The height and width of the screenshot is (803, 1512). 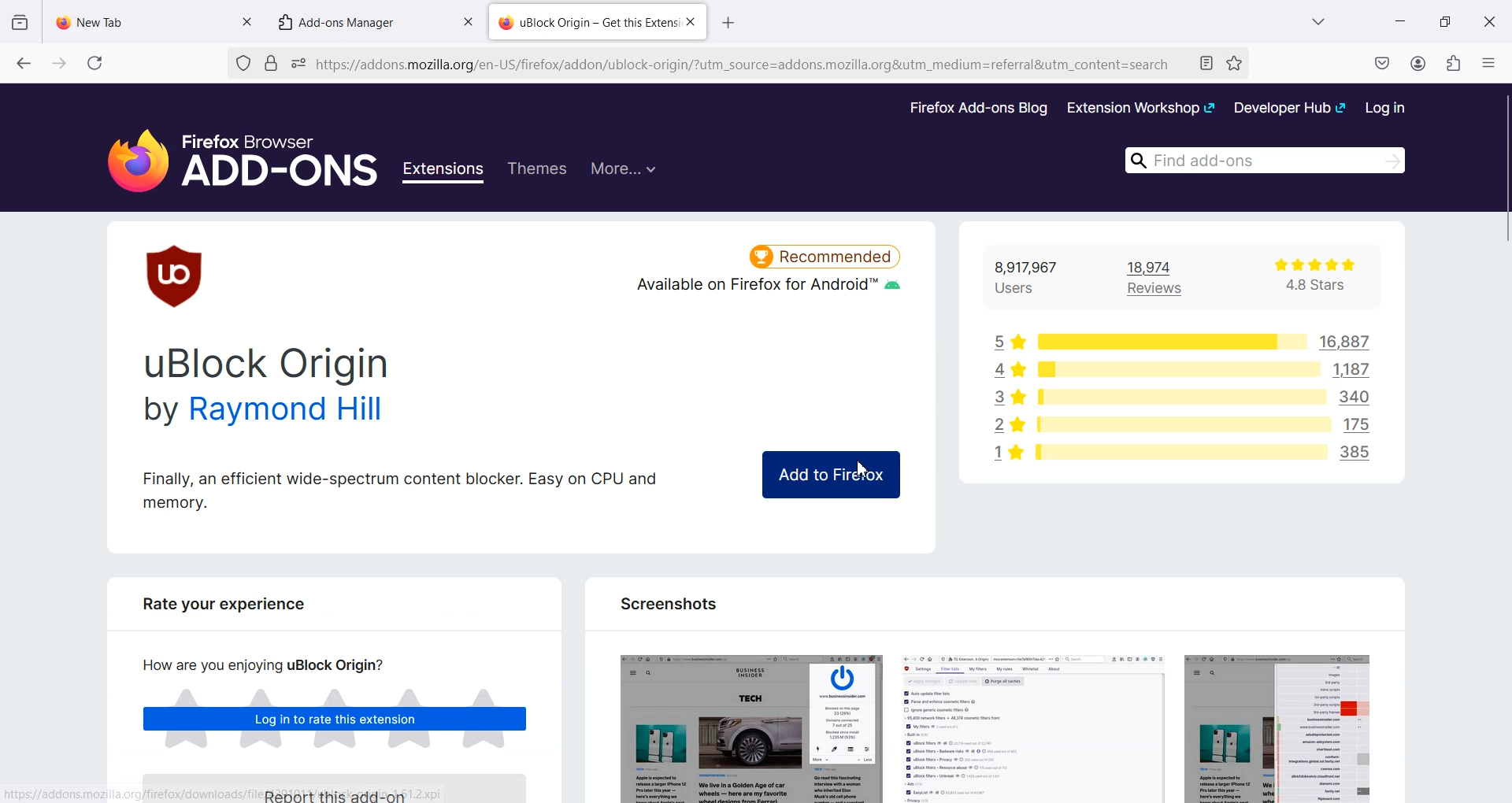 I want to click on Cursor, so click(x=865, y=468).